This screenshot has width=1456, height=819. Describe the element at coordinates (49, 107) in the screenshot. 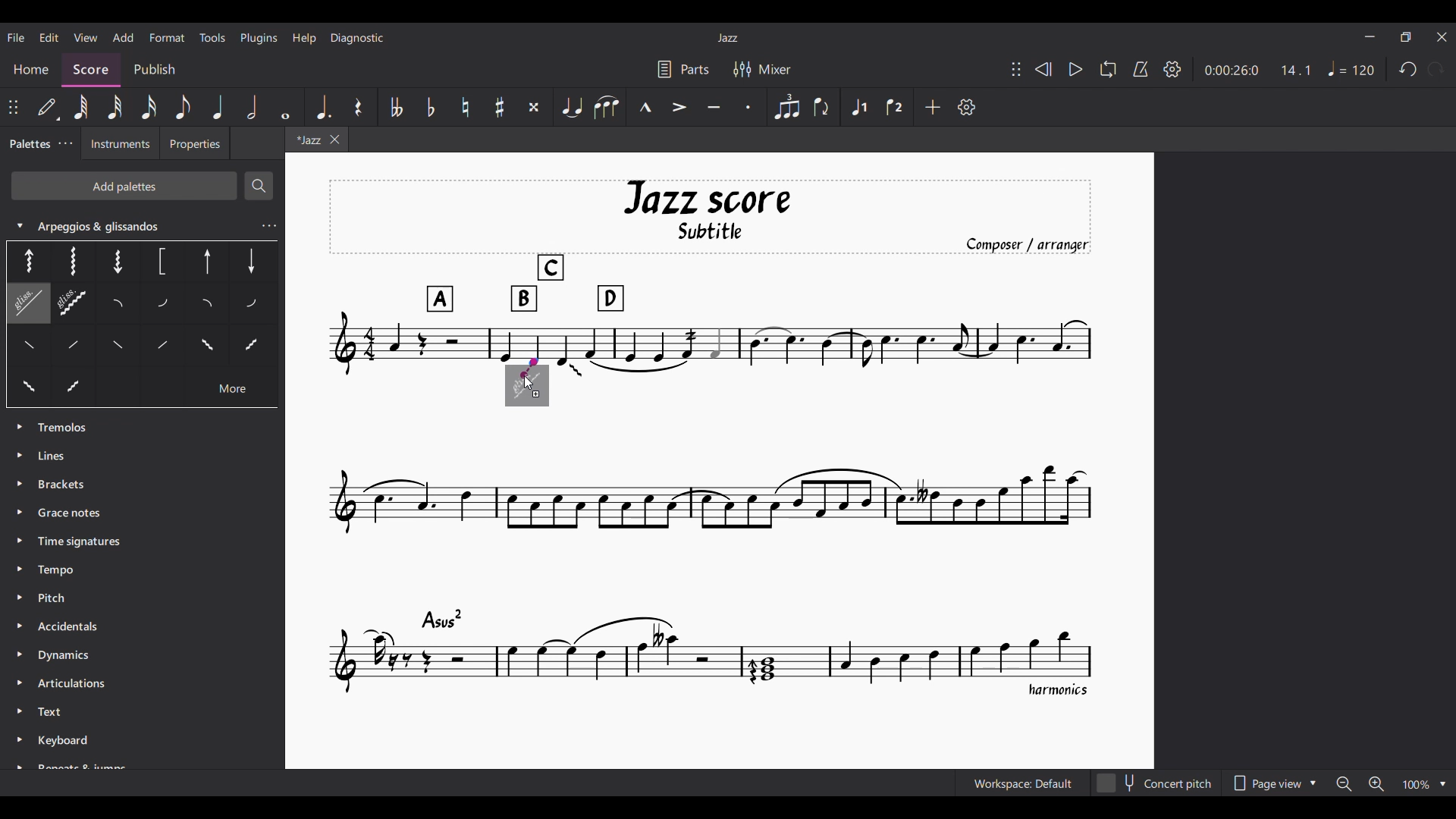

I see `Default` at that location.